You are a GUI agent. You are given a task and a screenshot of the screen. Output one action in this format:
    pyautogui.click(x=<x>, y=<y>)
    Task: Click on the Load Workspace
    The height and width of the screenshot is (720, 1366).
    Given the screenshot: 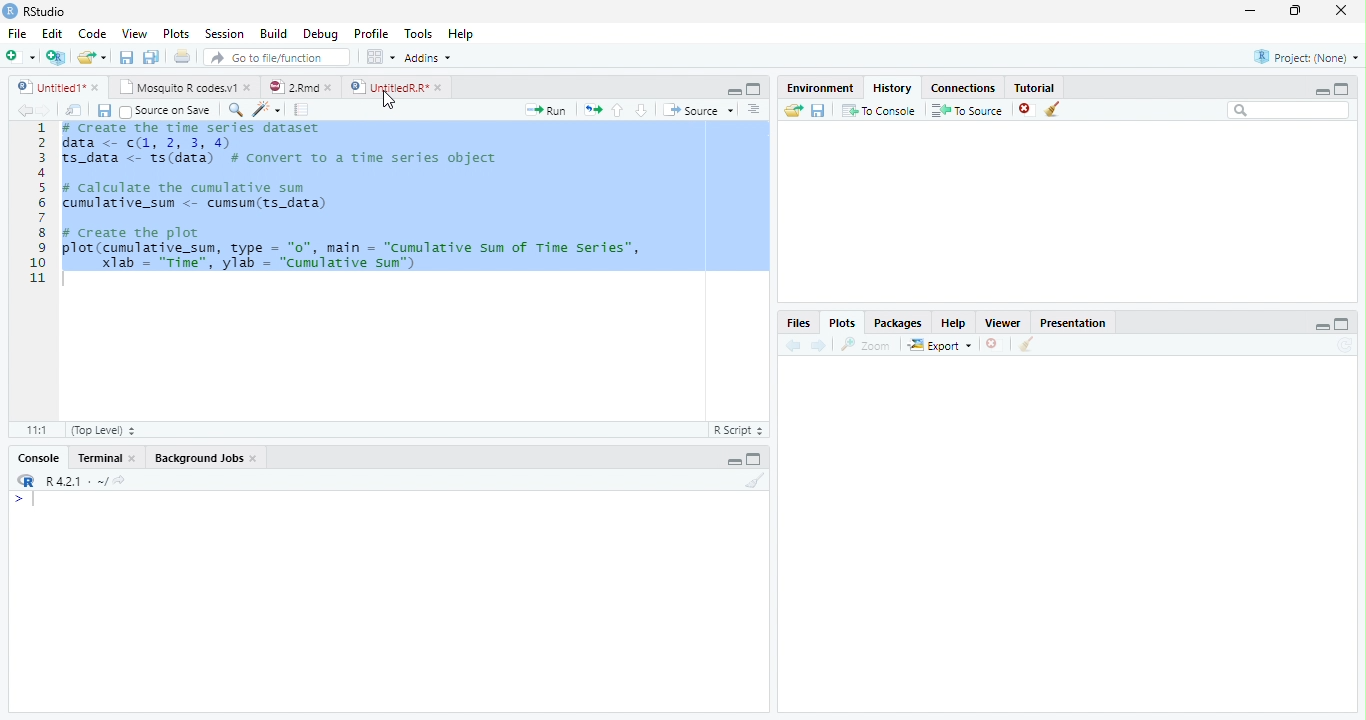 What is the action you would take?
    pyautogui.click(x=796, y=114)
    